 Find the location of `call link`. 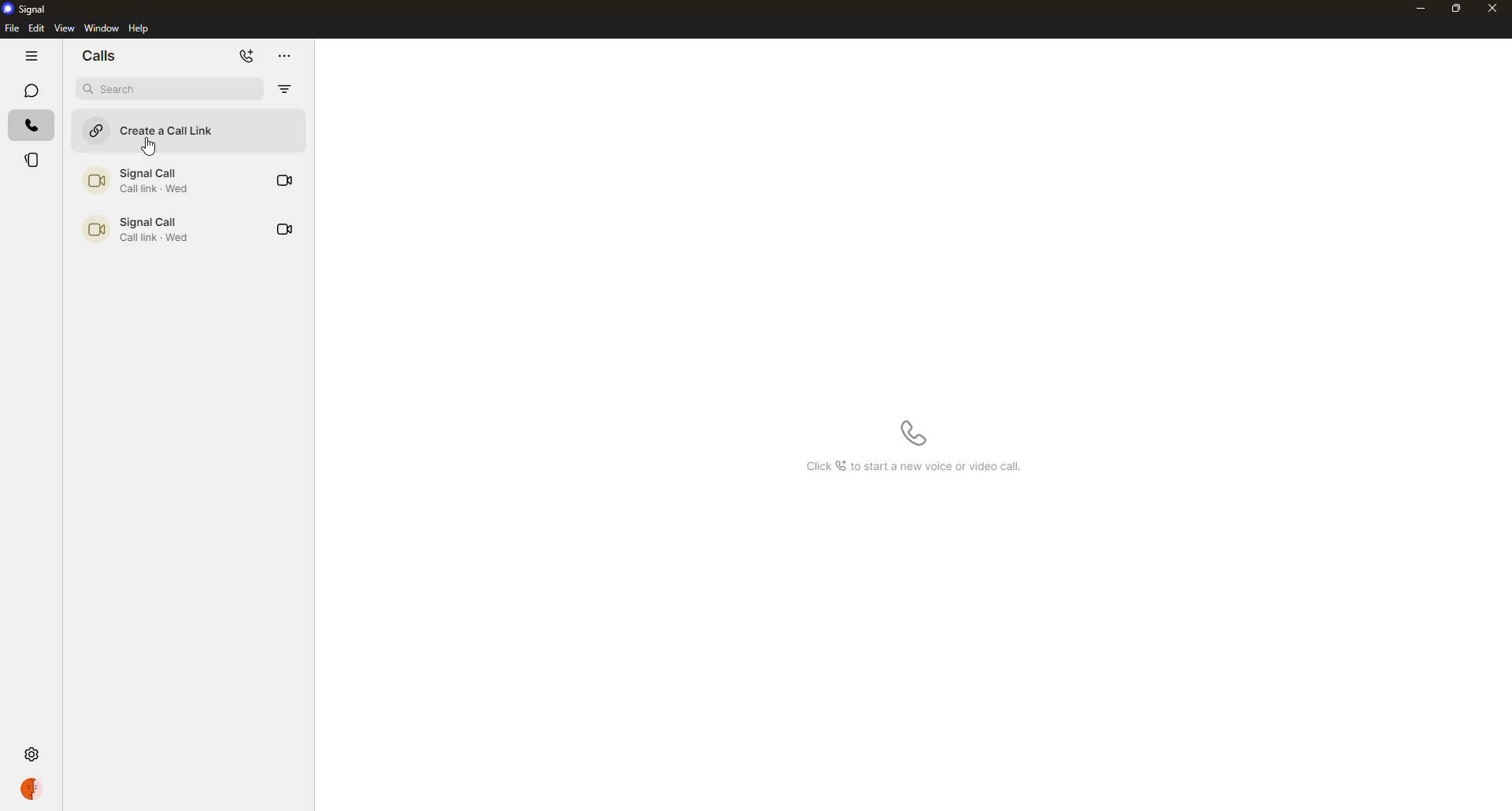

call link is located at coordinates (148, 229).